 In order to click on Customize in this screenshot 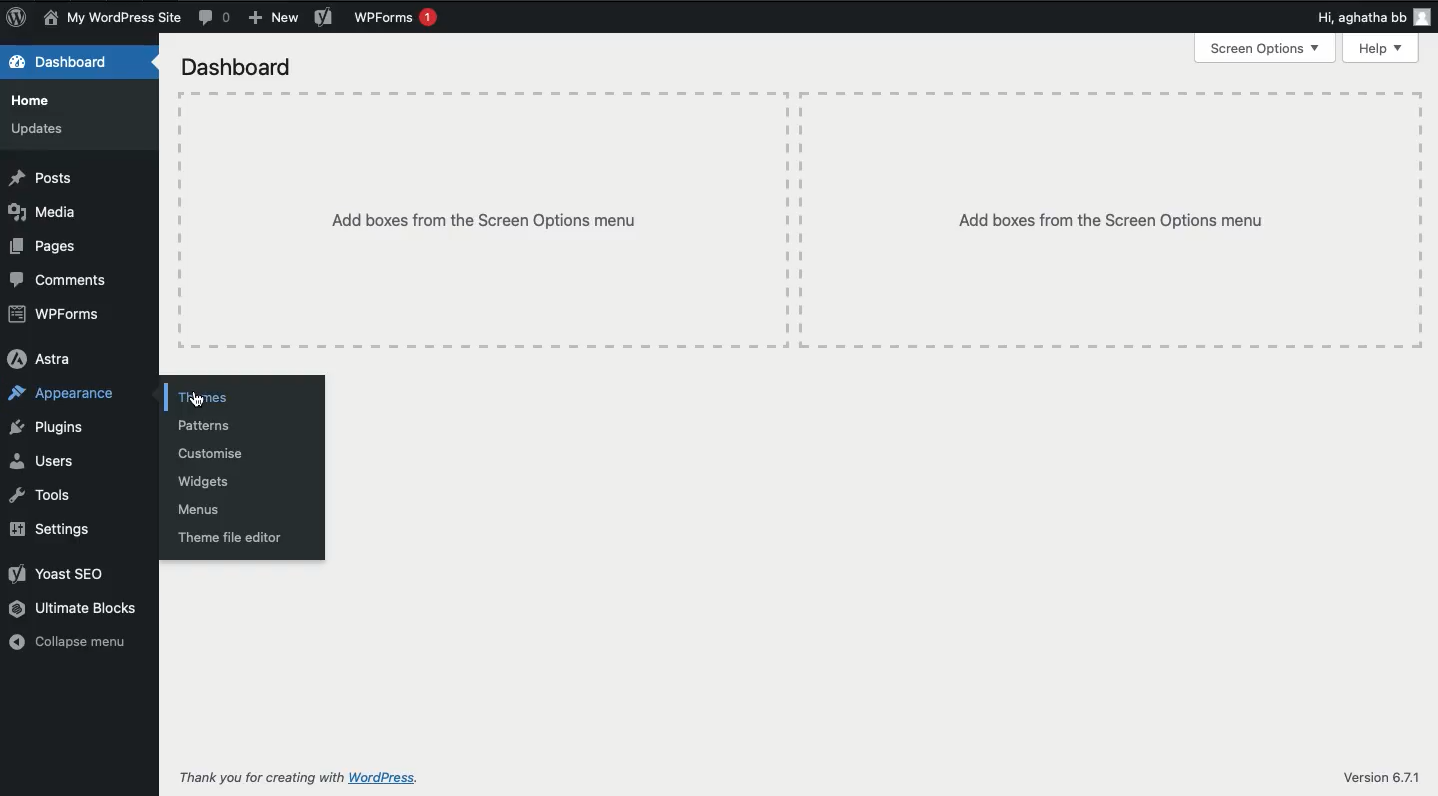, I will do `click(213, 454)`.